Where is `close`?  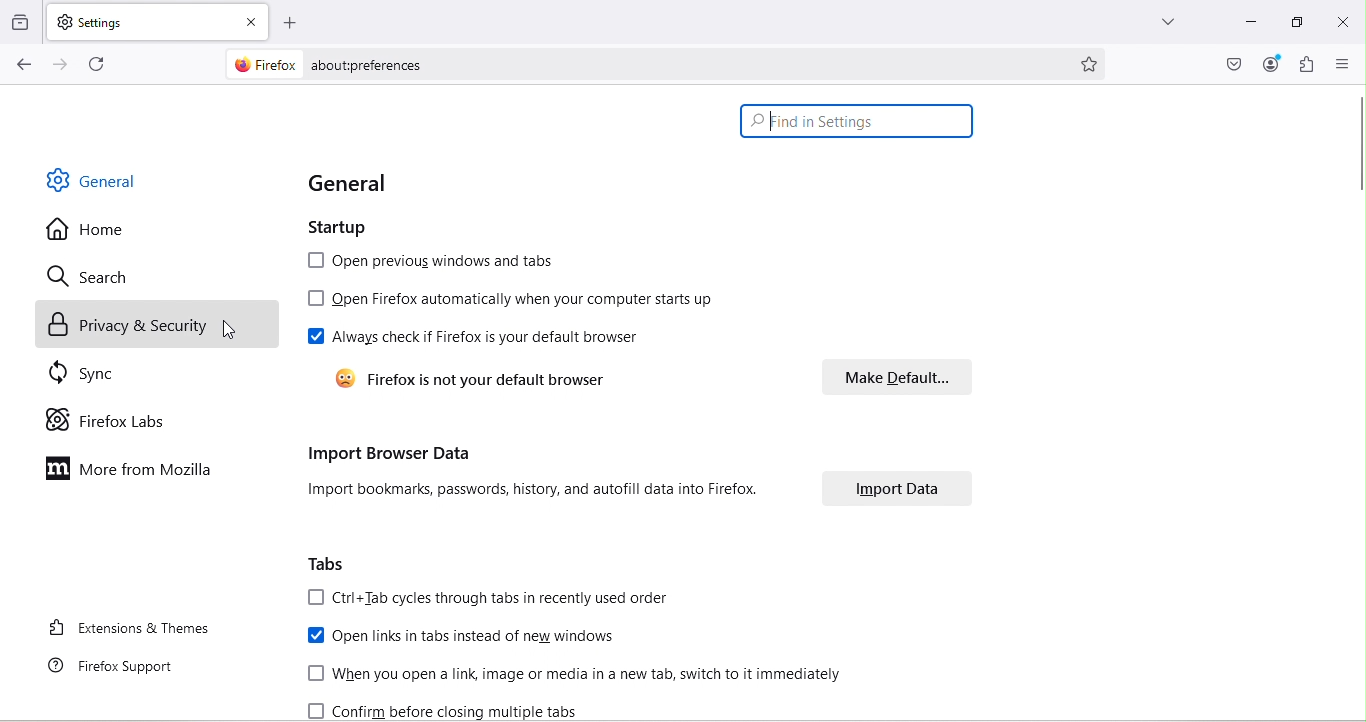
close is located at coordinates (1340, 25).